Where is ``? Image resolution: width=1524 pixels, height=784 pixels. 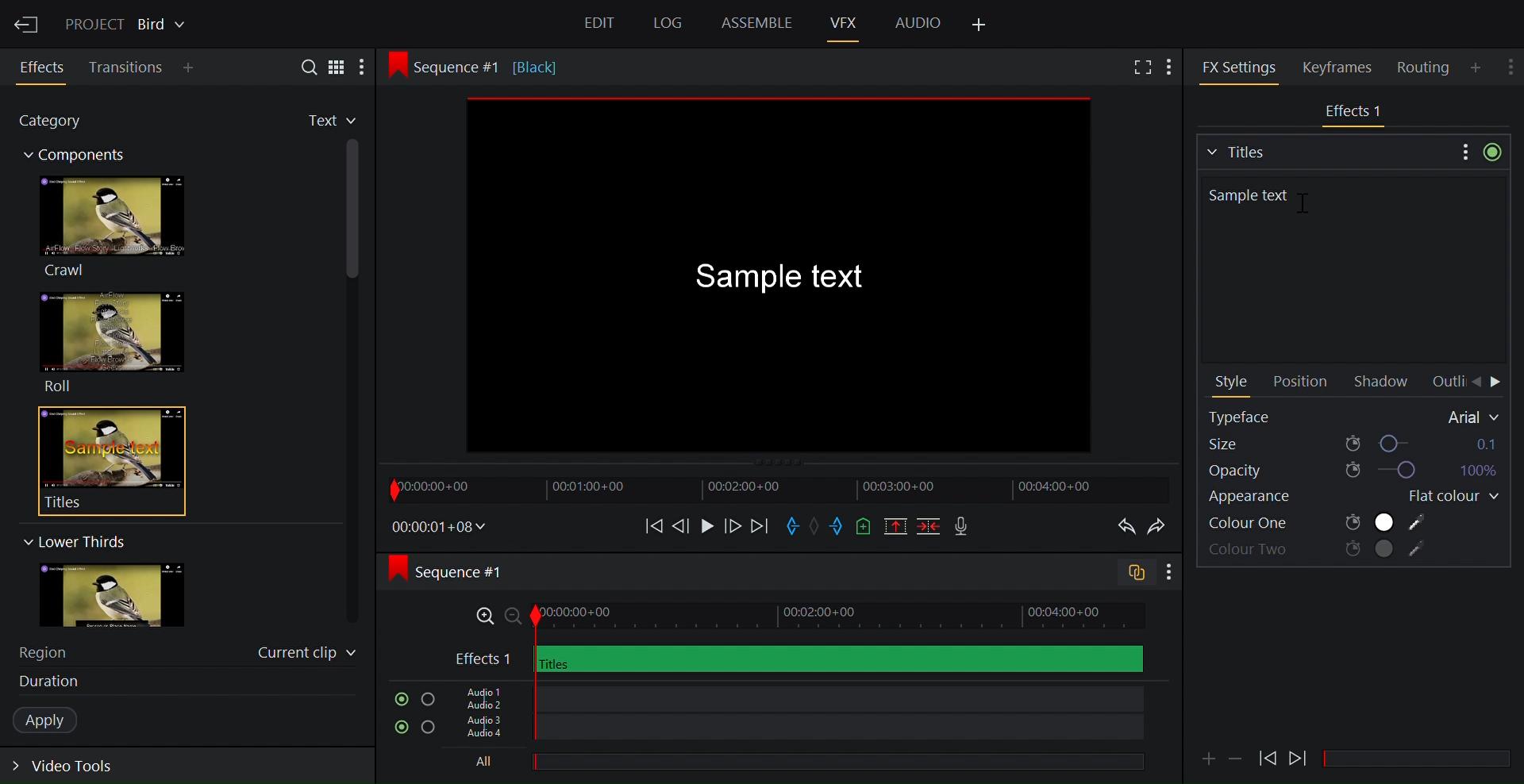  is located at coordinates (54, 681).